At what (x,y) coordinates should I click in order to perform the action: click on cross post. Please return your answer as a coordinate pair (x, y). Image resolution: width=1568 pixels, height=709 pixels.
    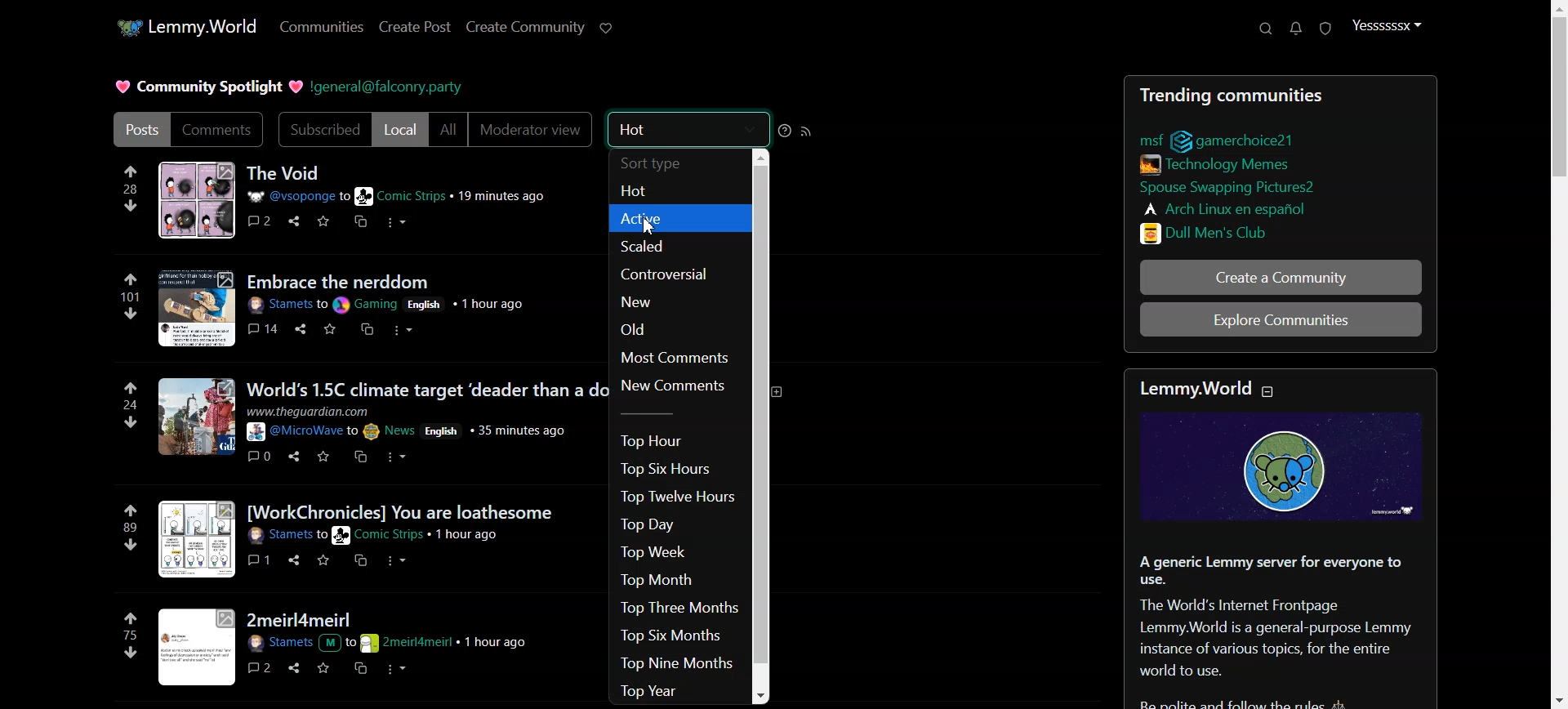
    Looking at the image, I should click on (360, 453).